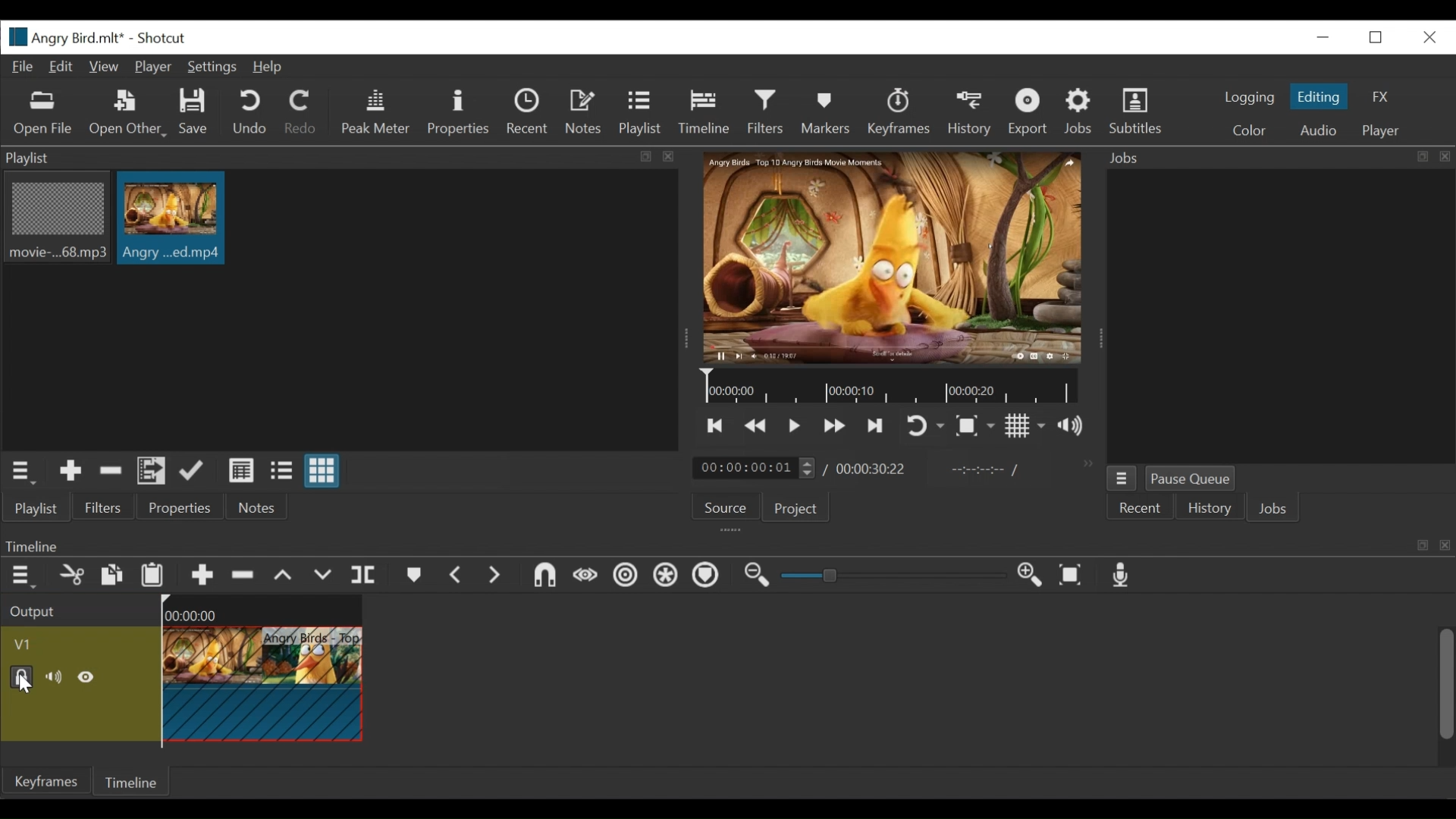  What do you see at coordinates (284, 576) in the screenshot?
I see `lift` at bounding box center [284, 576].